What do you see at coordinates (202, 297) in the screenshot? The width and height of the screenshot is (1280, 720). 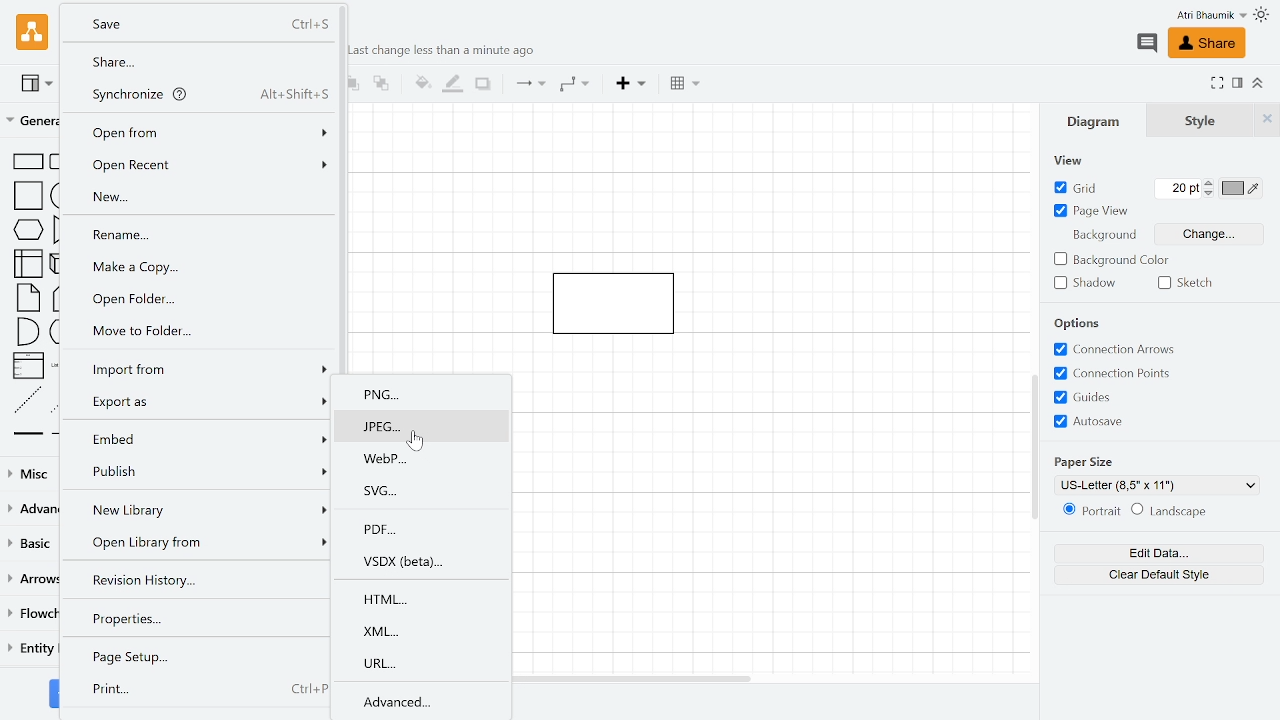 I see `Open folder` at bounding box center [202, 297].